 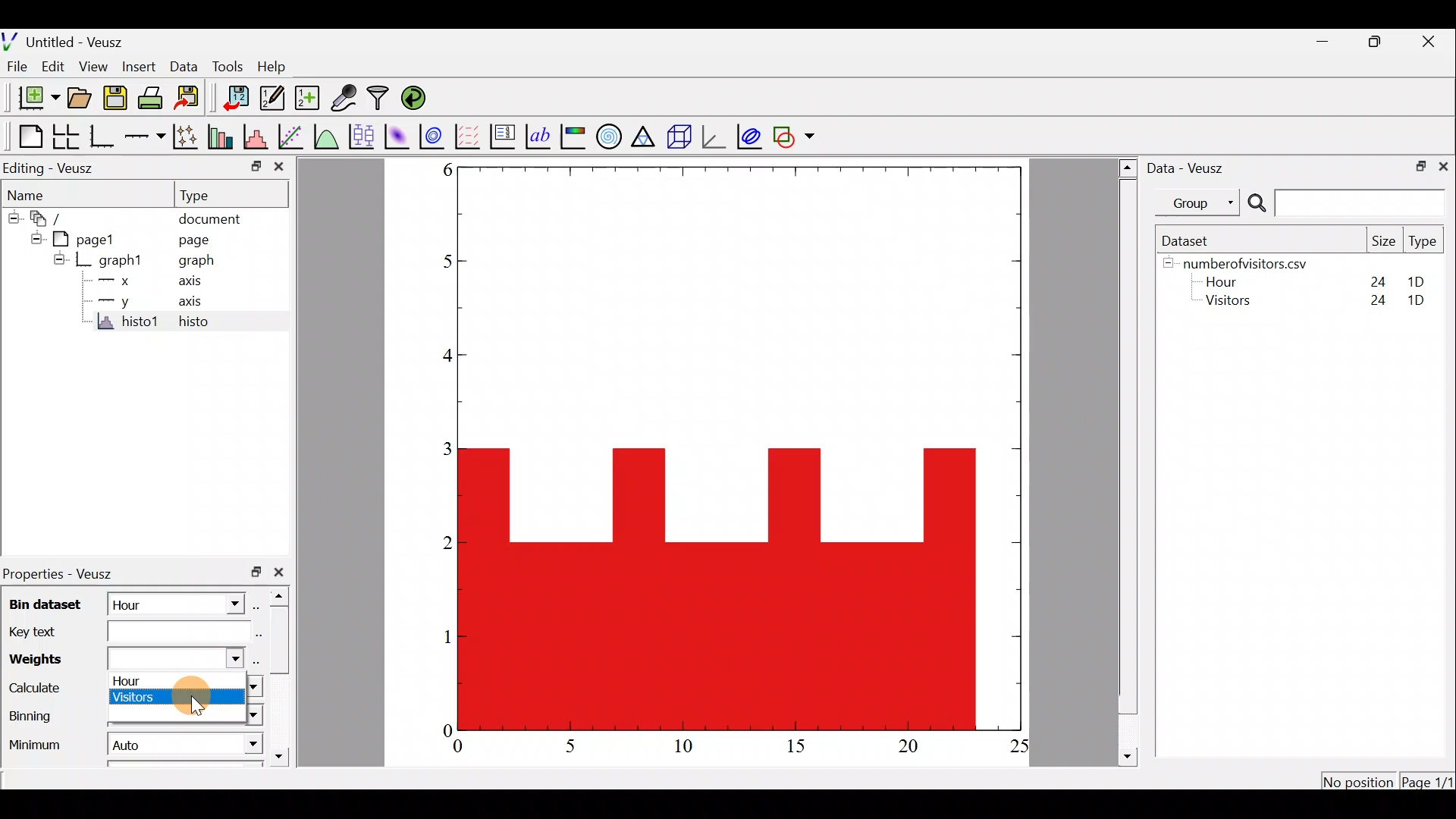 I want to click on View, so click(x=94, y=66).